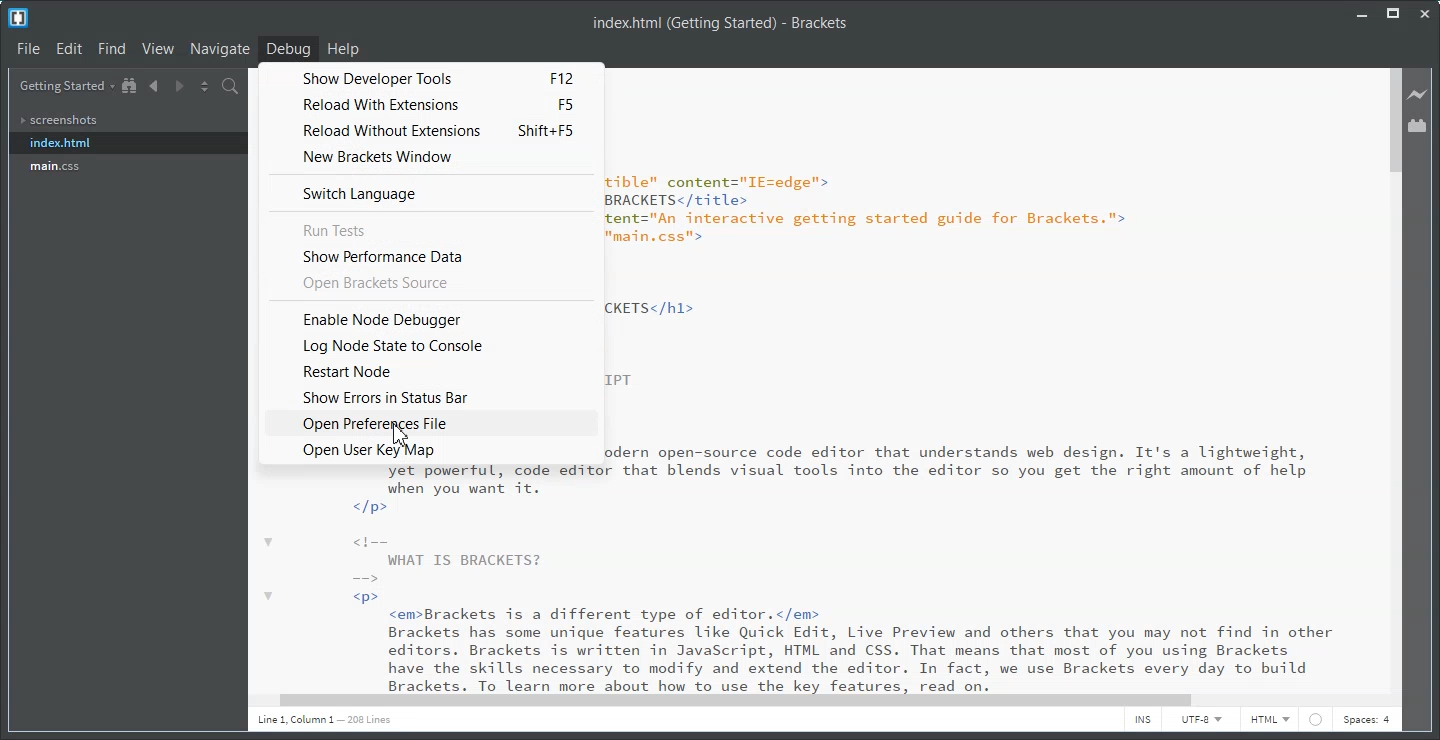 Image resolution: width=1440 pixels, height=740 pixels. I want to click on Find in Files, so click(230, 86).